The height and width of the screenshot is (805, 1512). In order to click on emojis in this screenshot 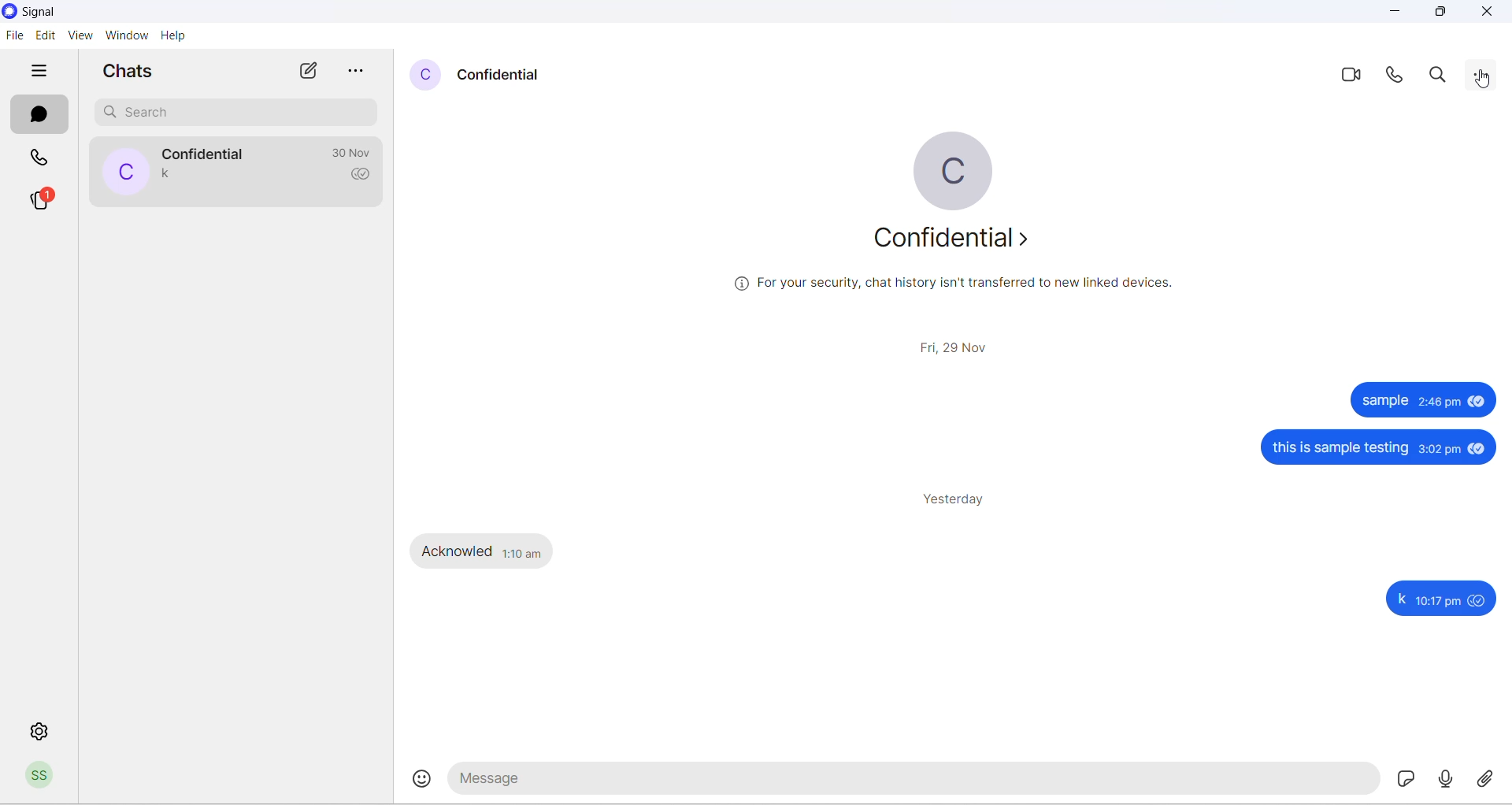, I will do `click(419, 783)`.